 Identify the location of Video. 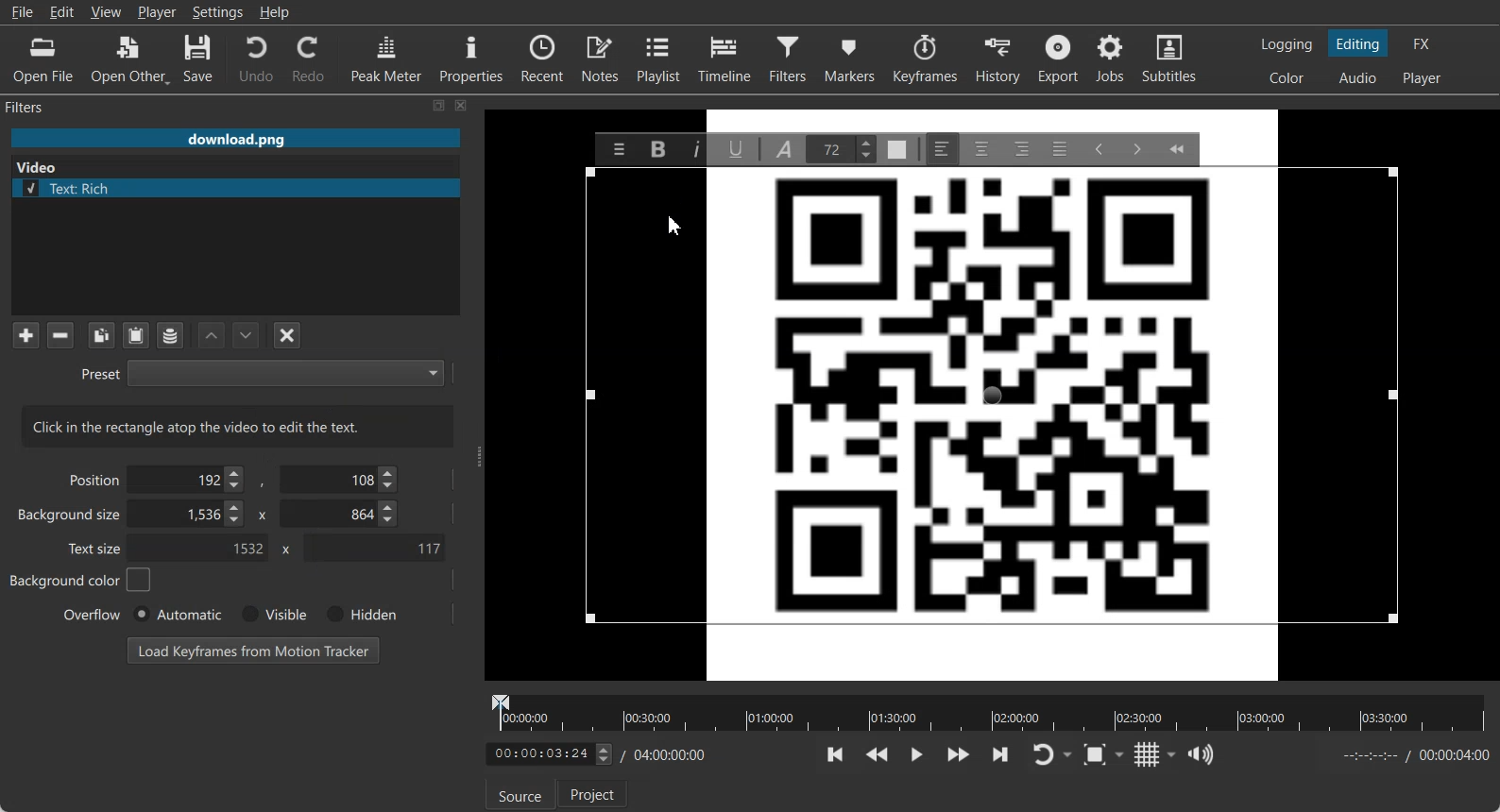
(38, 167).